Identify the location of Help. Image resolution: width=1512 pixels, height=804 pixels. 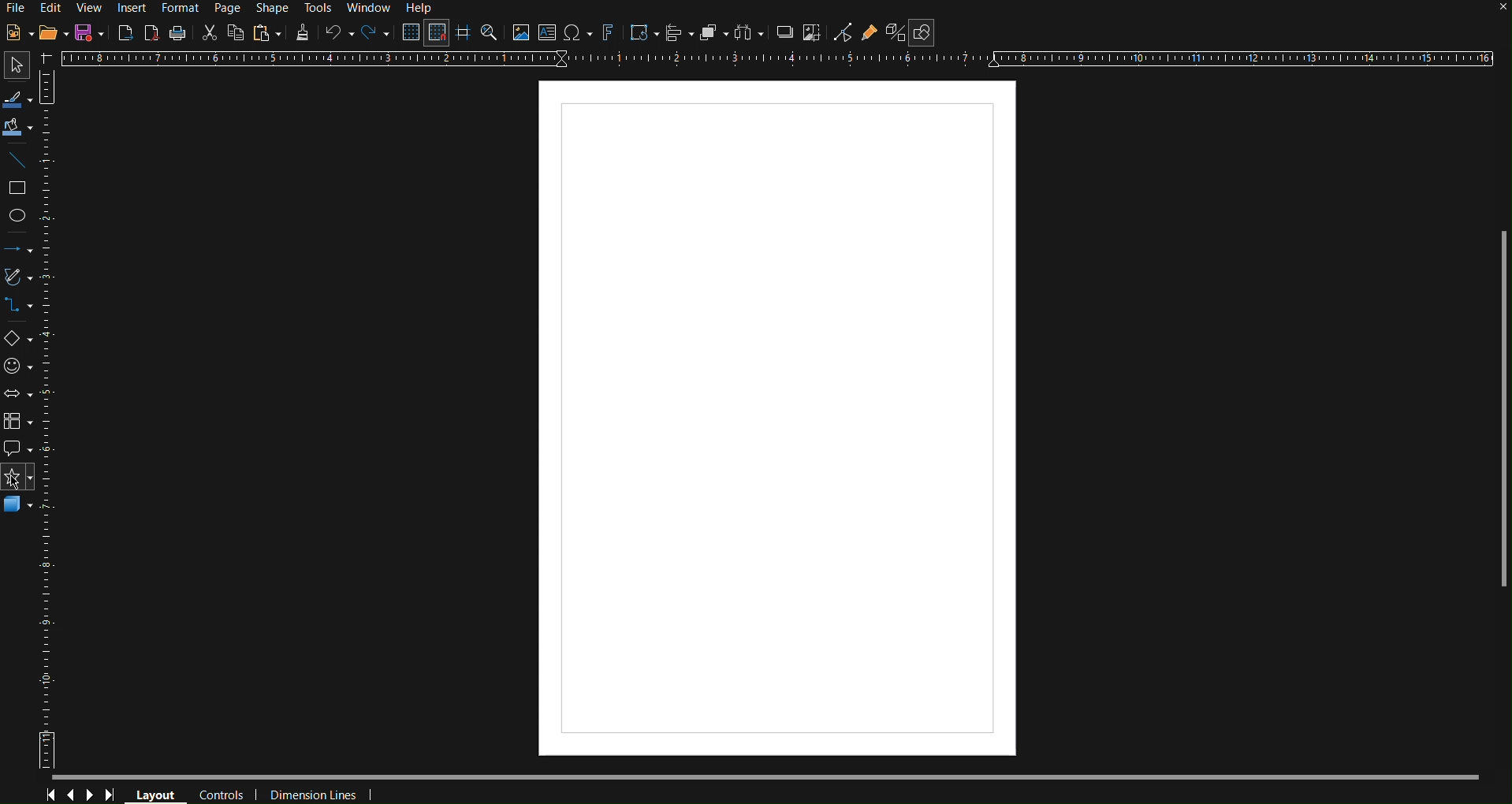
(422, 9).